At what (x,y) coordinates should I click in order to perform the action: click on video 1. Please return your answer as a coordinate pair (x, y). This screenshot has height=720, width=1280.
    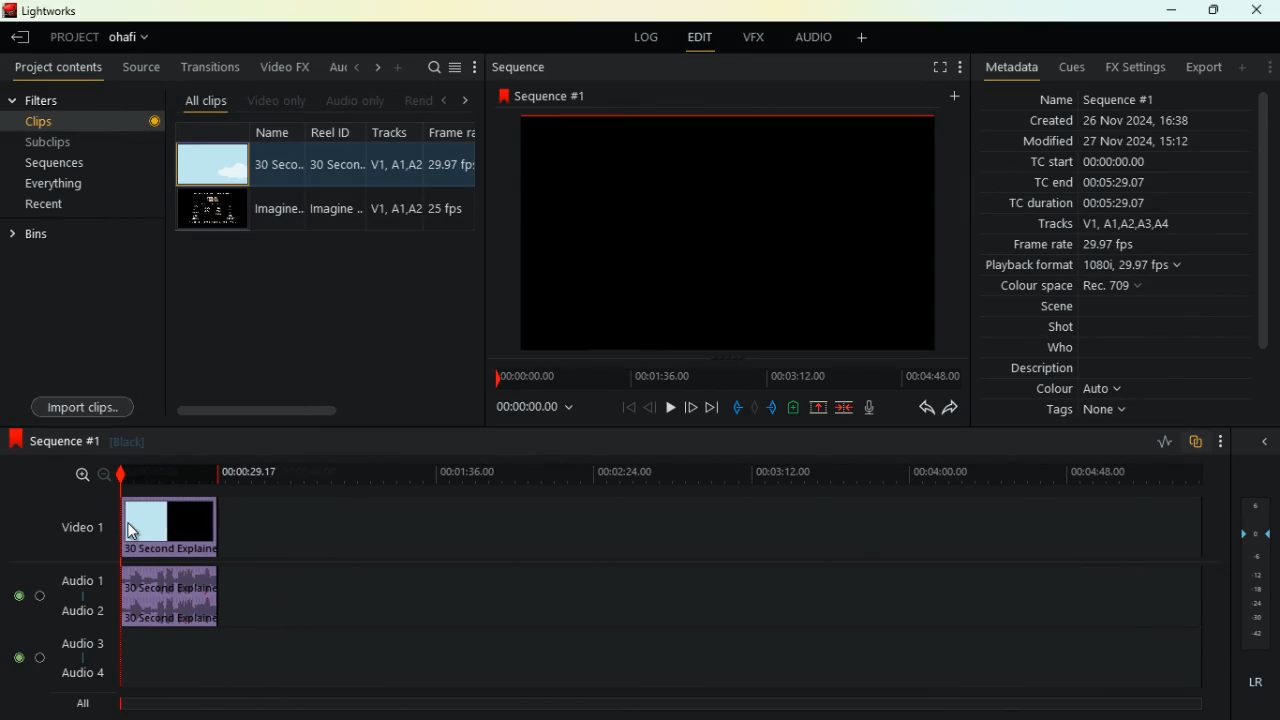
    Looking at the image, I should click on (74, 527).